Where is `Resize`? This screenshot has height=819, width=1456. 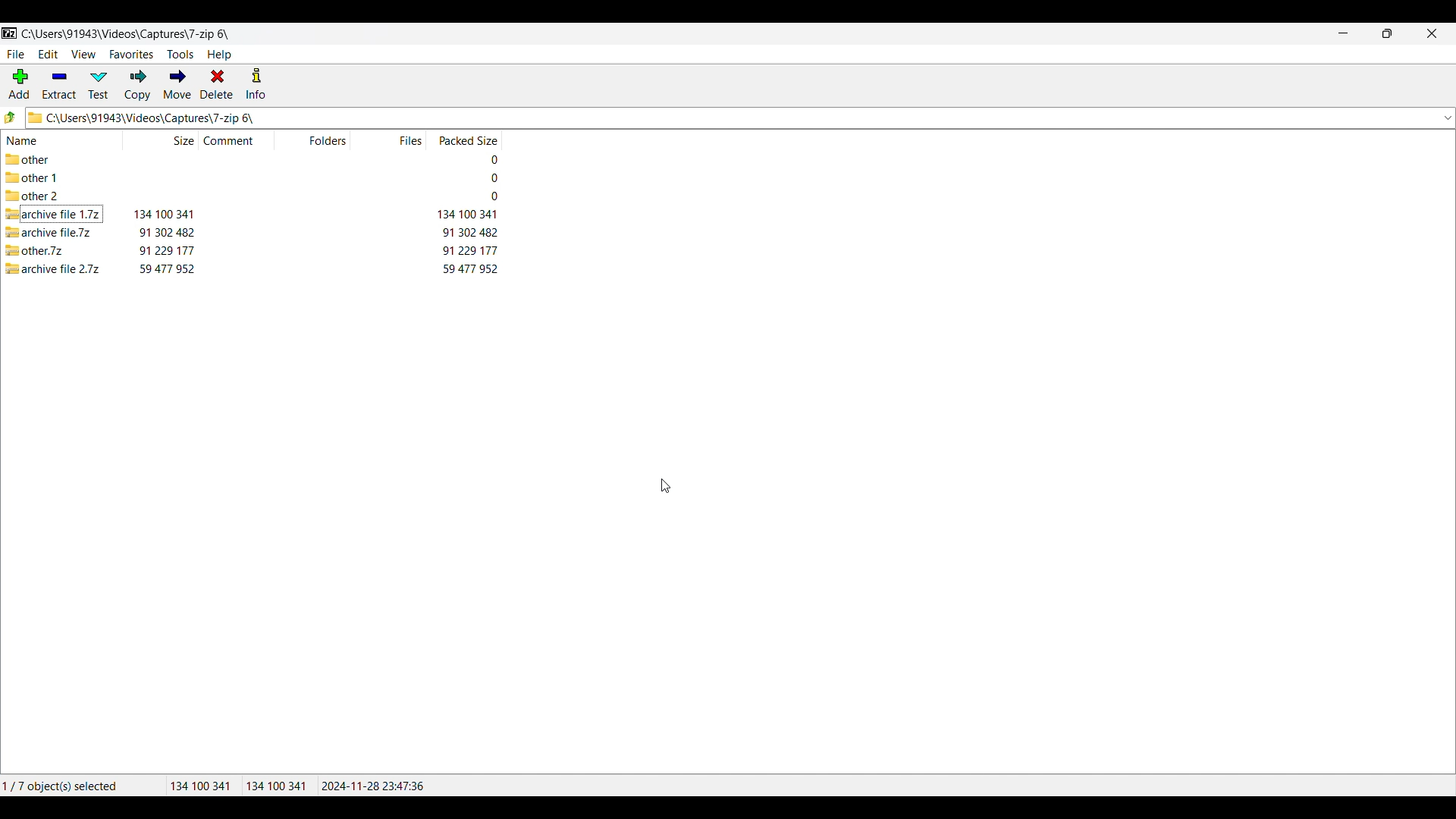 Resize is located at coordinates (1387, 33).